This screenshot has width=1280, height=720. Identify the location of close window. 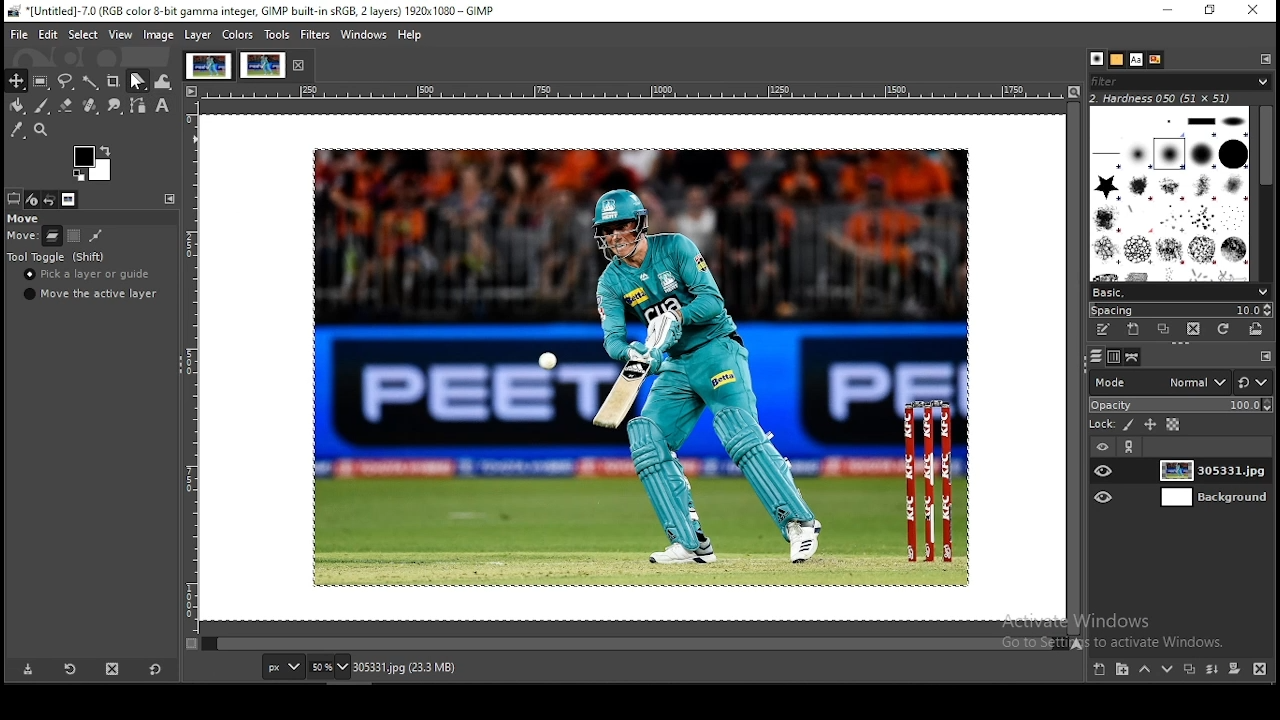
(1249, 11).